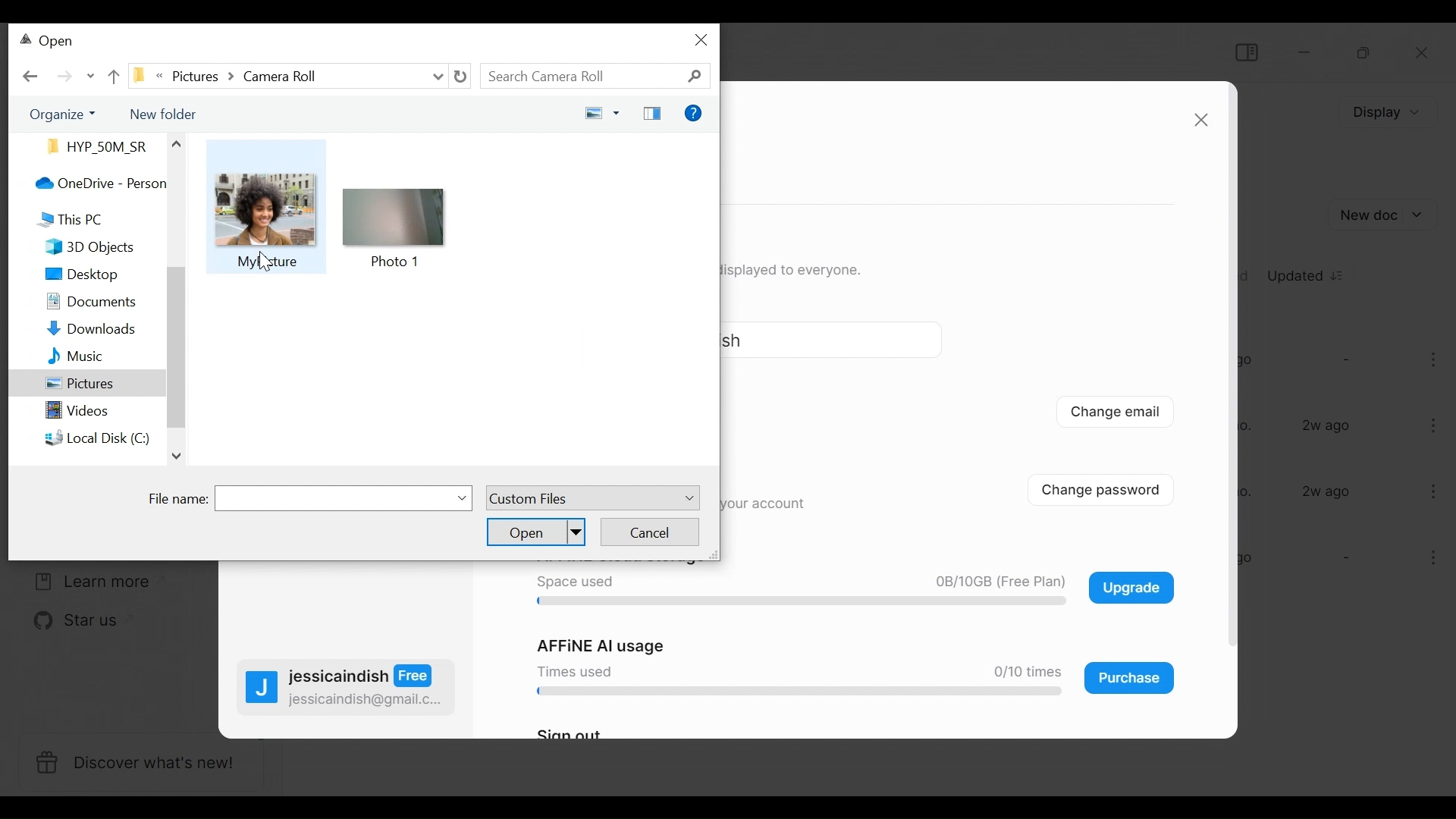 The image size is (1456, 819). What do you see at coordinates (795, 602) in the screenshot?
I see `progress bar` at bounding box center [795, 602].